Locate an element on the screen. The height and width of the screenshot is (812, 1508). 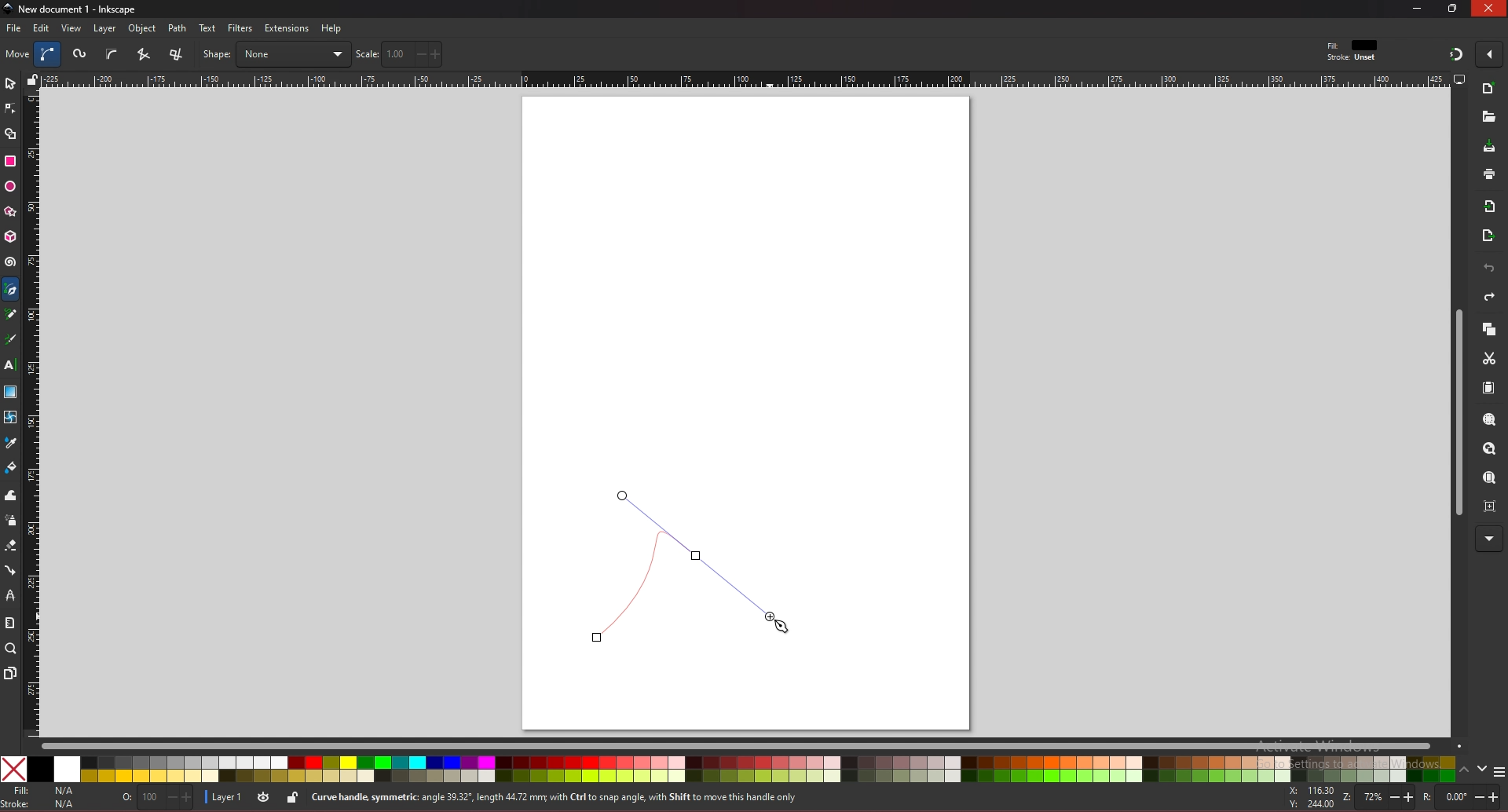
path is located at coordinates (178, 28).